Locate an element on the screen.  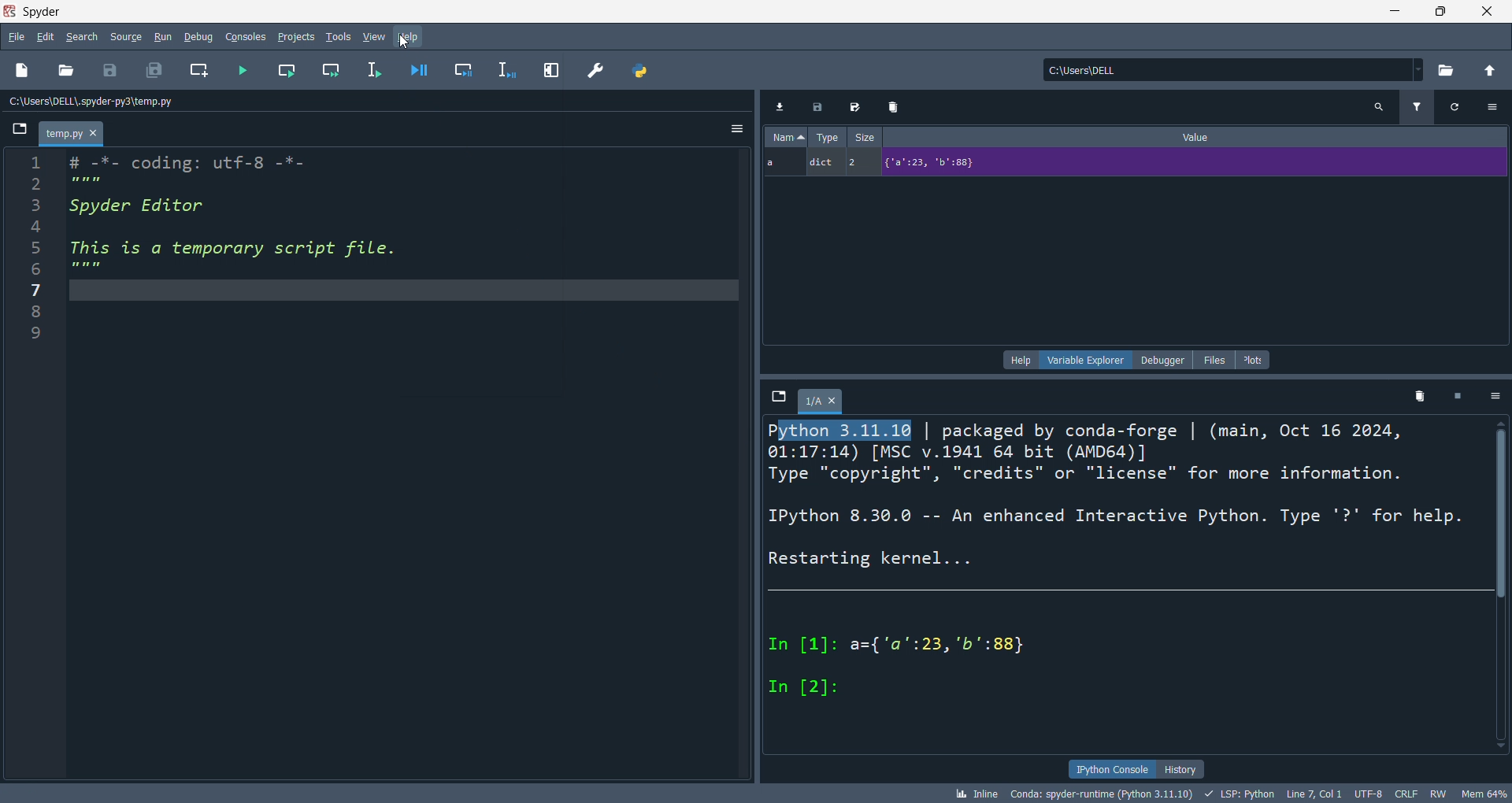
Value is located at coordinates (1195, 137).